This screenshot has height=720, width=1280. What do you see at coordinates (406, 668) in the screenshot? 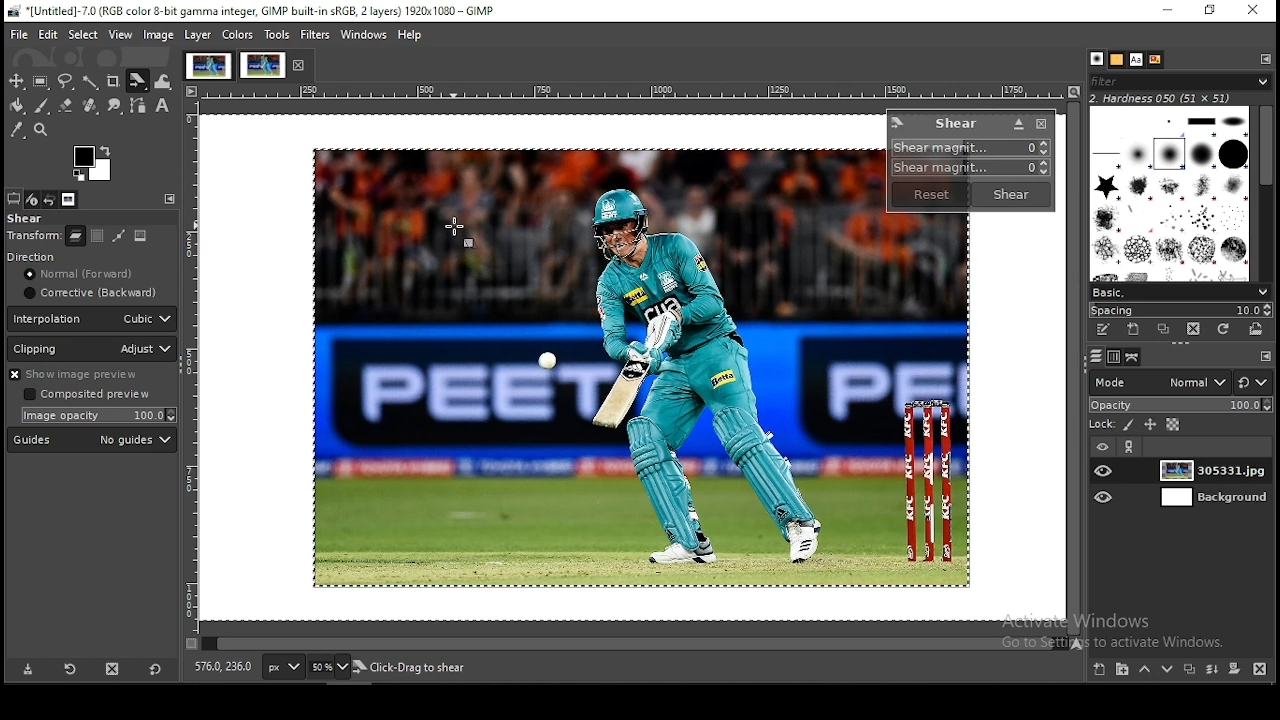
I see `305331.jpg (23.3 mb)` at bounding box center [406, 668].